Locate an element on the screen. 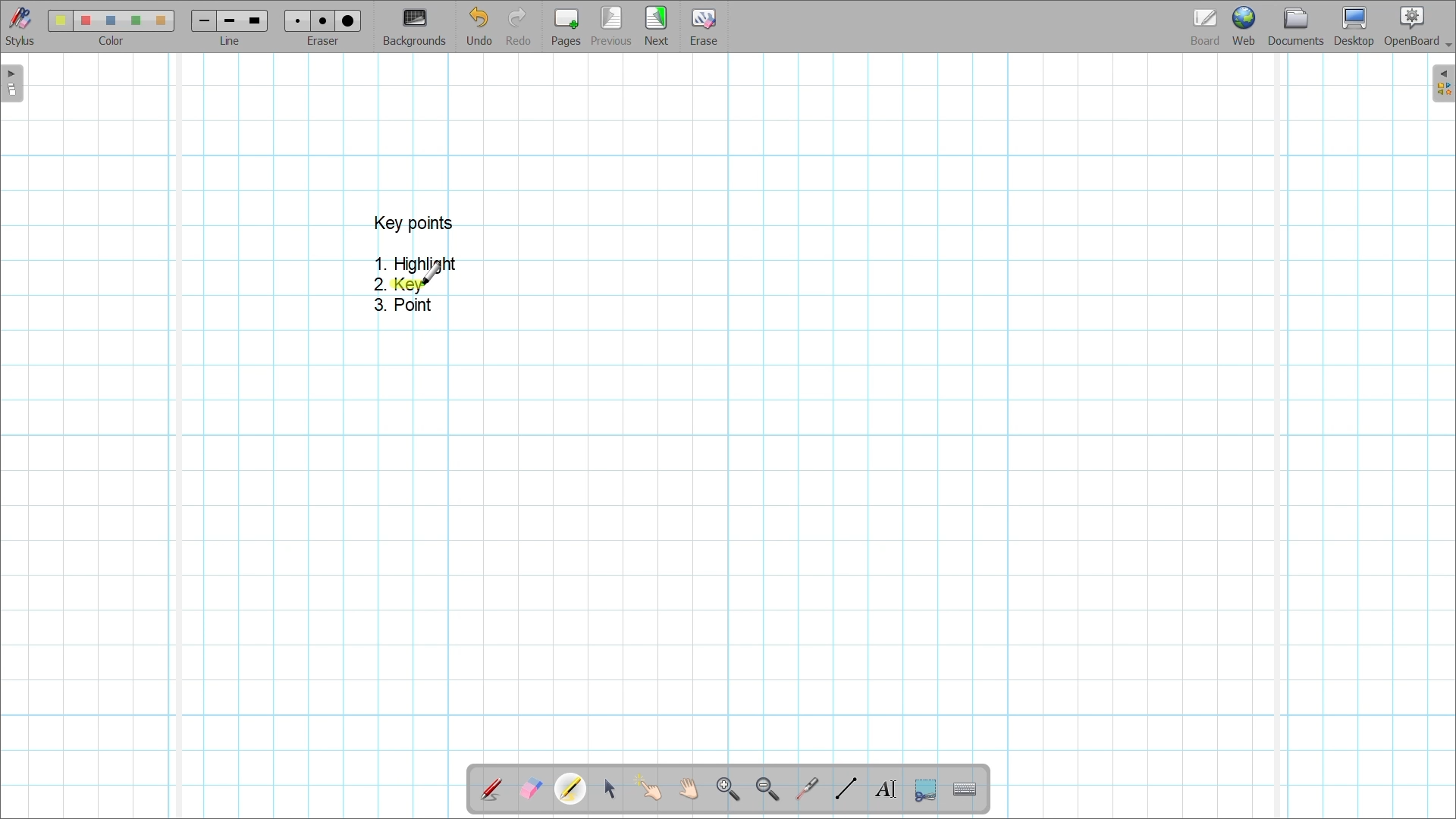  Erase annotation is located at coordinates (532, 789).